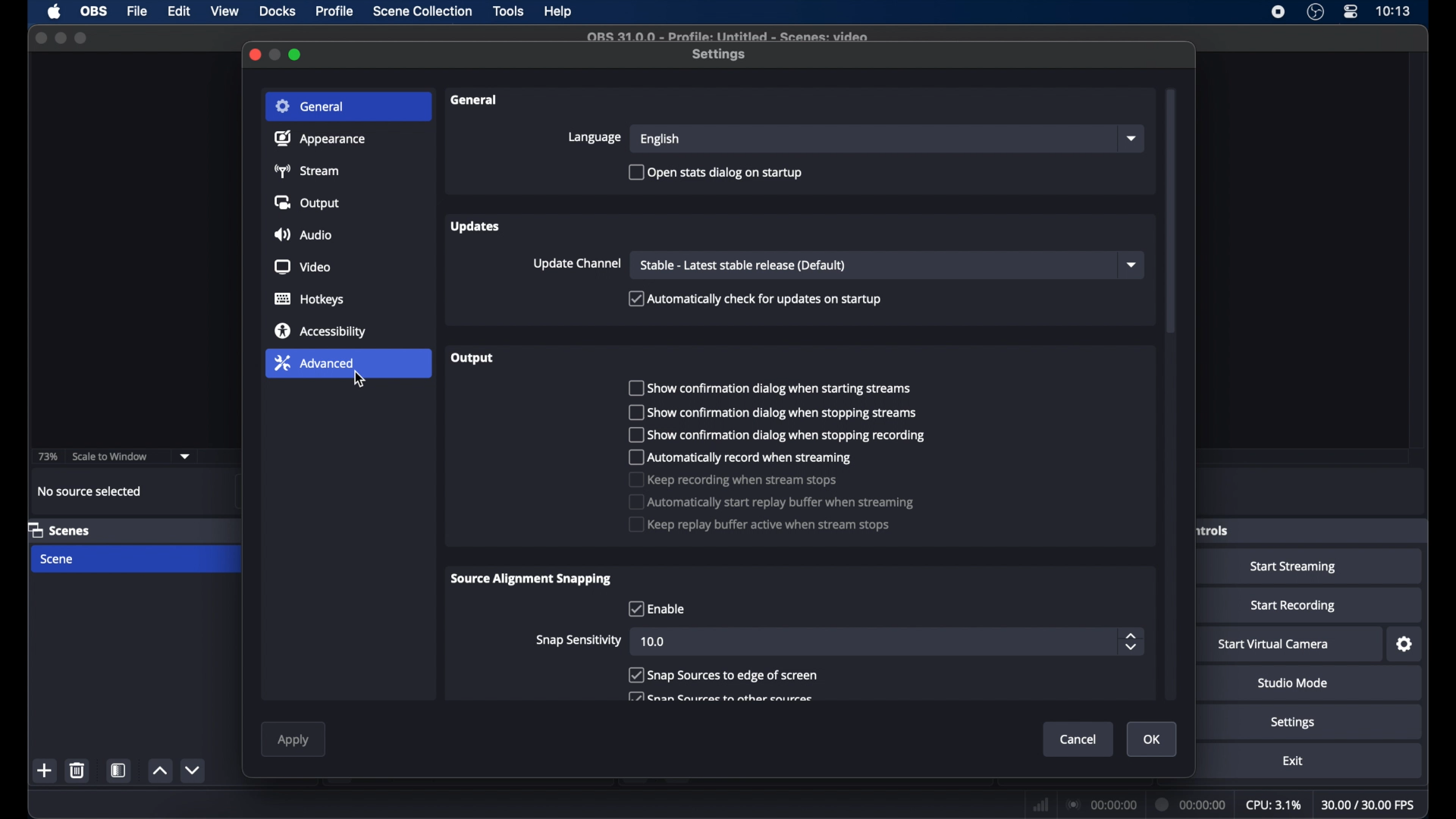  What do you see at coordinates (1040, 803) in the screenshot?
I see `network` at bounding box center [1040, 803].